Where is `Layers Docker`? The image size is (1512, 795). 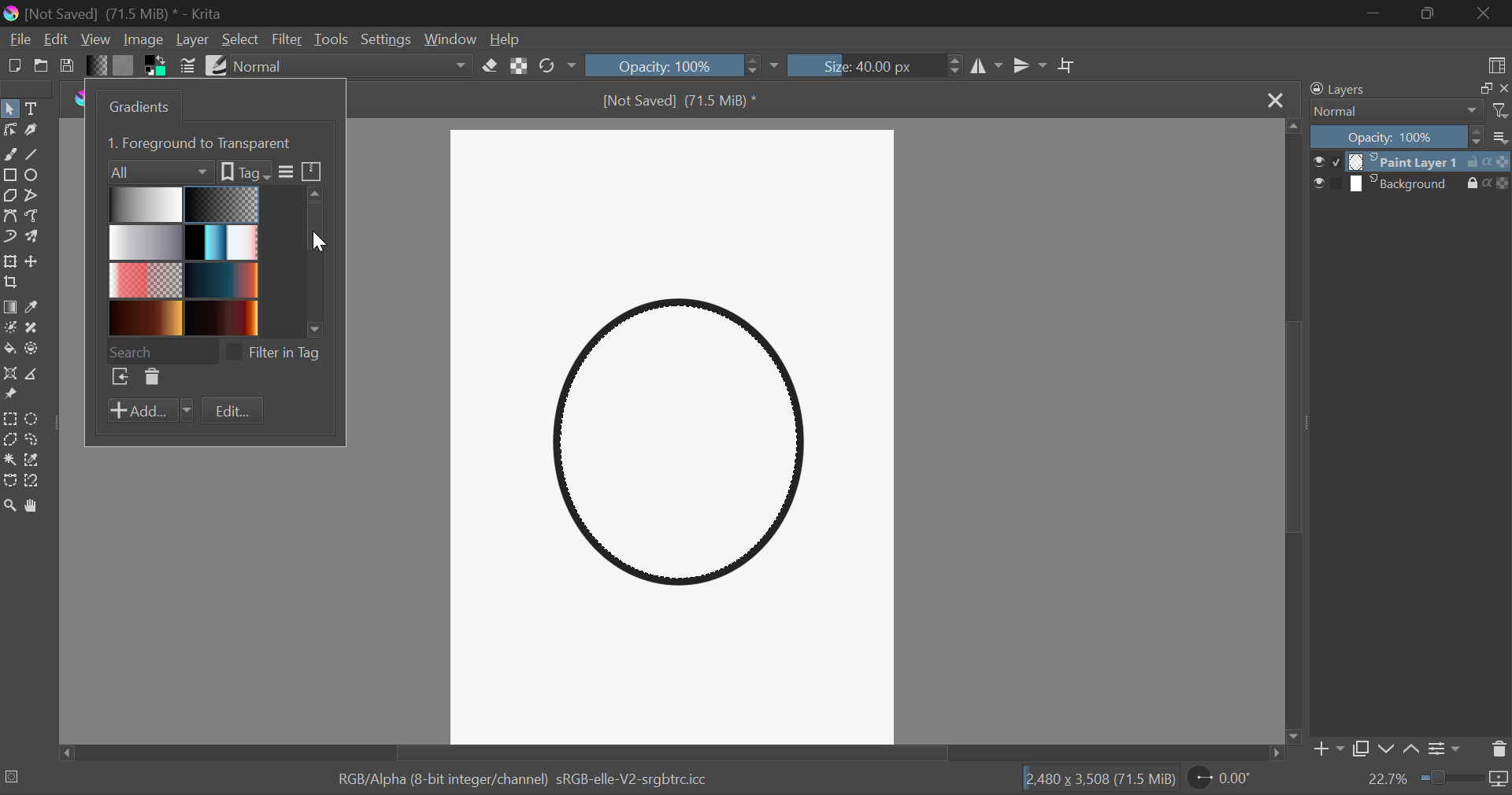
Layers Docker is located at coordinates (1352, 89).